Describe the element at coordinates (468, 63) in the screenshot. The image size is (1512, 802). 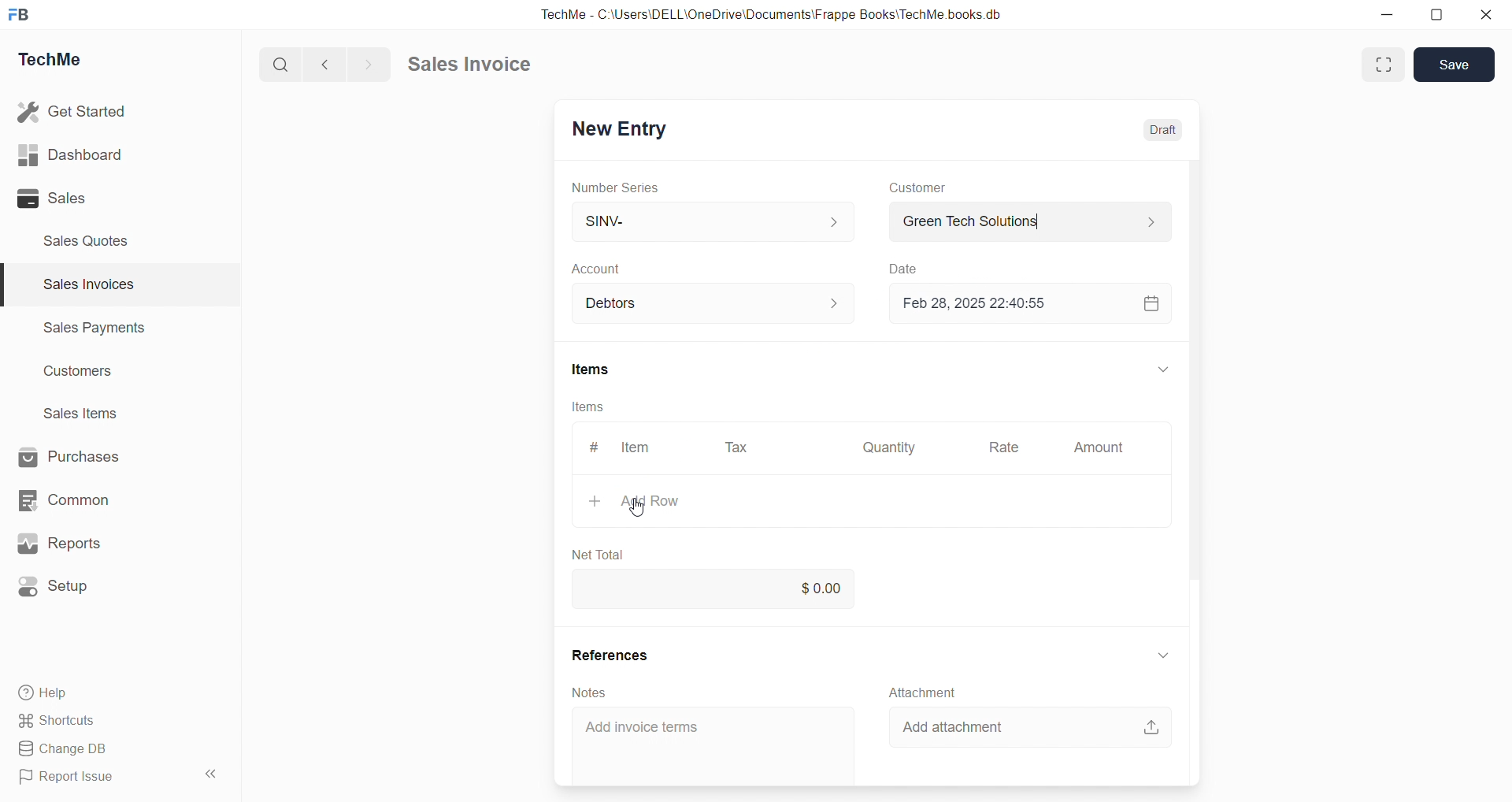
I see `Sales invoice` at that location.